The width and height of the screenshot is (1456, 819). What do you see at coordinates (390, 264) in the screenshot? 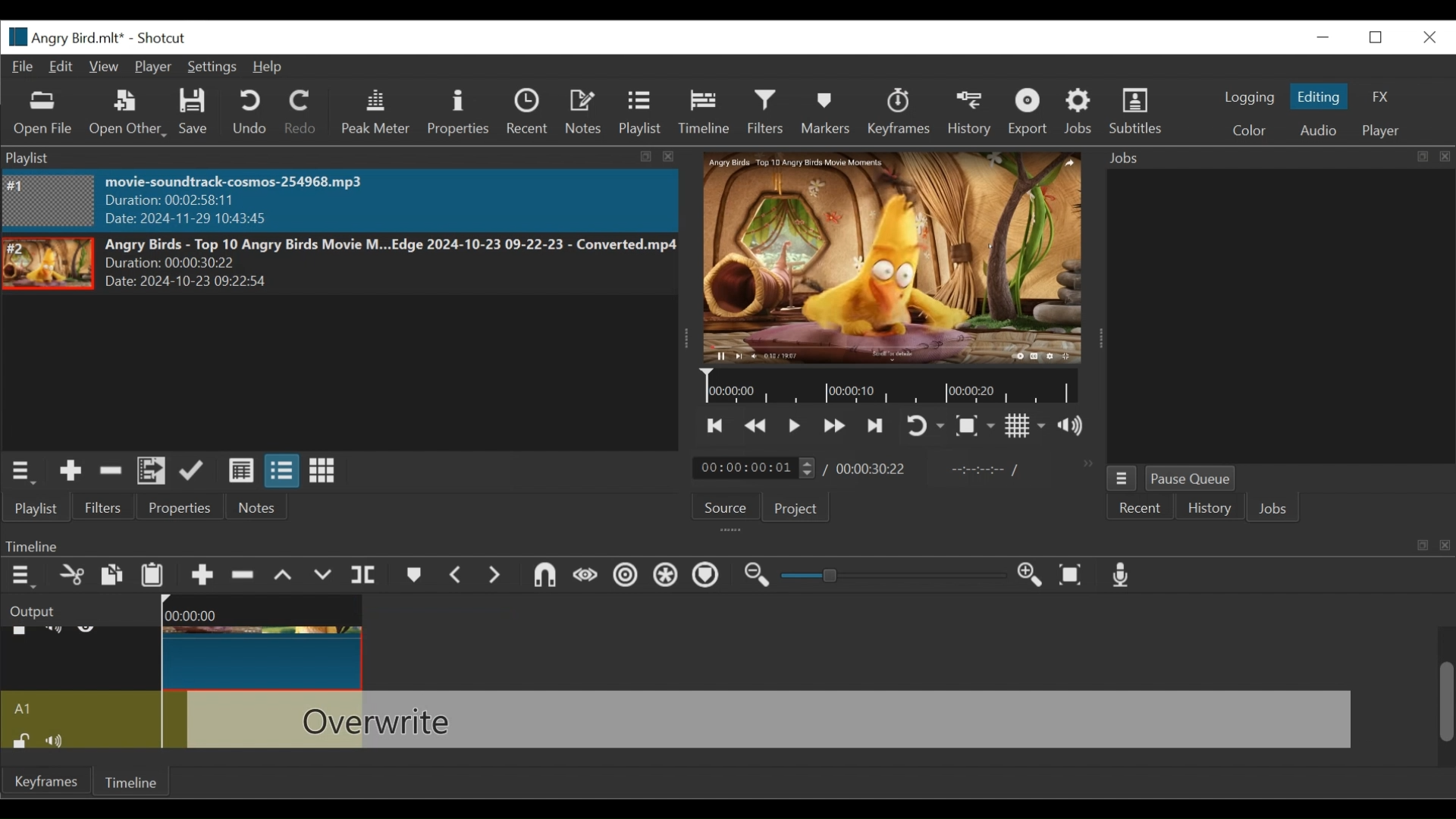
I see `Angry Birds - Top 10 Angry Birds Movie M...Edge 2024-10-23 09-22-23 - Converted.mp4Duration: 00:00:30:22 Date: 2024-10-23 09:22>5` at bounding box center [390, 264].